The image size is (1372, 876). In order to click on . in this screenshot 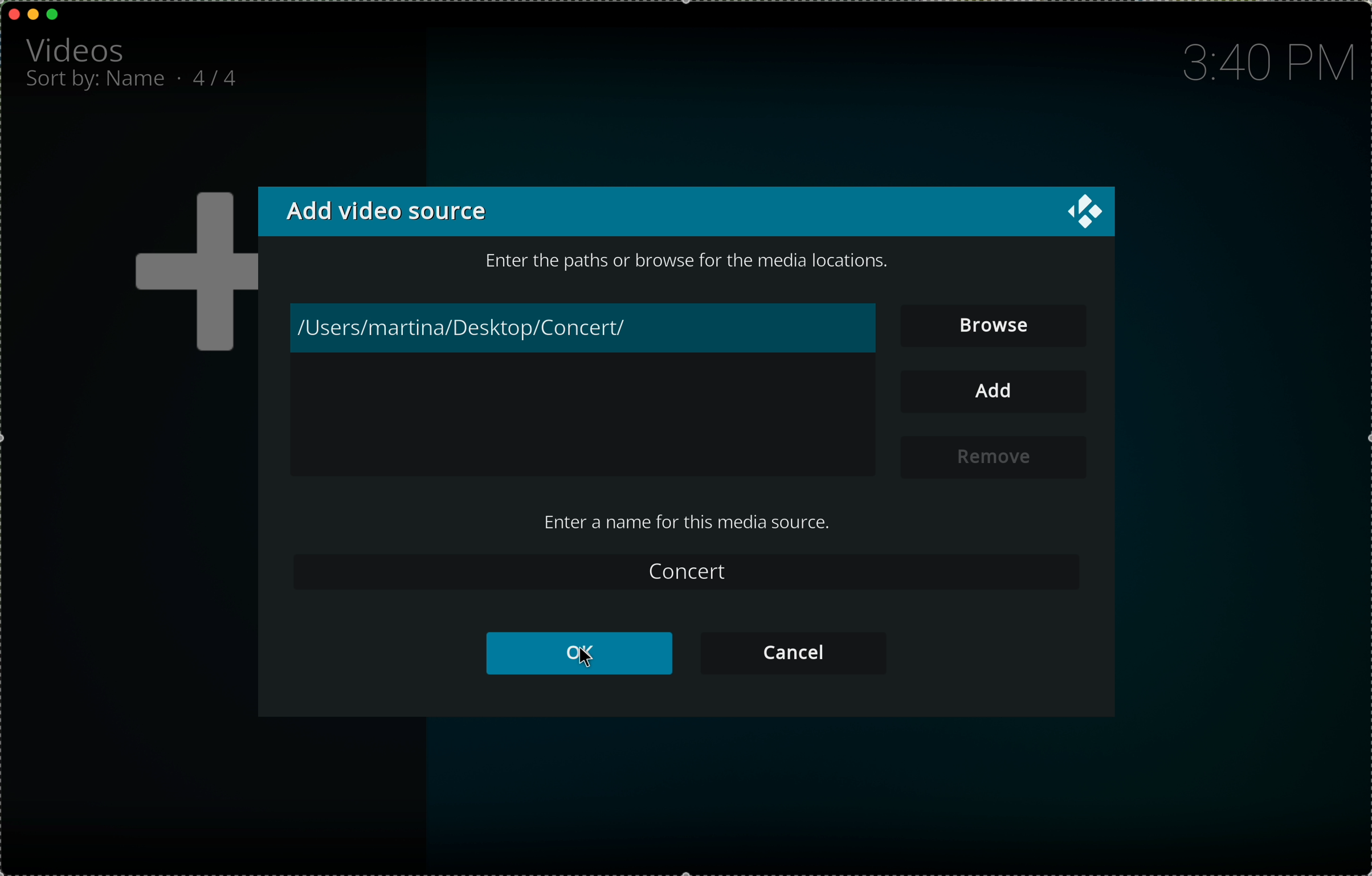, I will do `click(182, 77)`.